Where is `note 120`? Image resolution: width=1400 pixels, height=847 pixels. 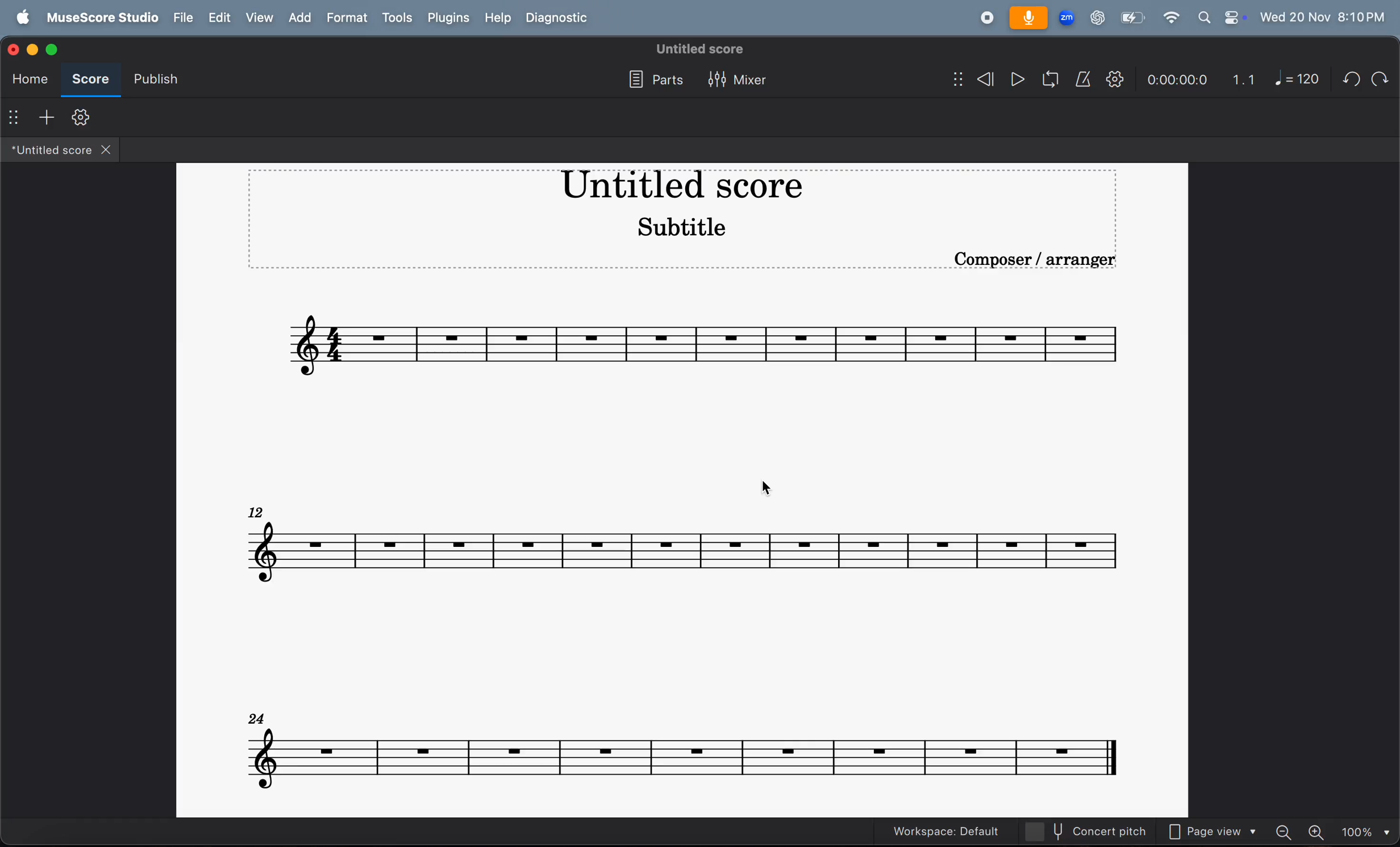 note 120 is located at coordinates (1295, 78).